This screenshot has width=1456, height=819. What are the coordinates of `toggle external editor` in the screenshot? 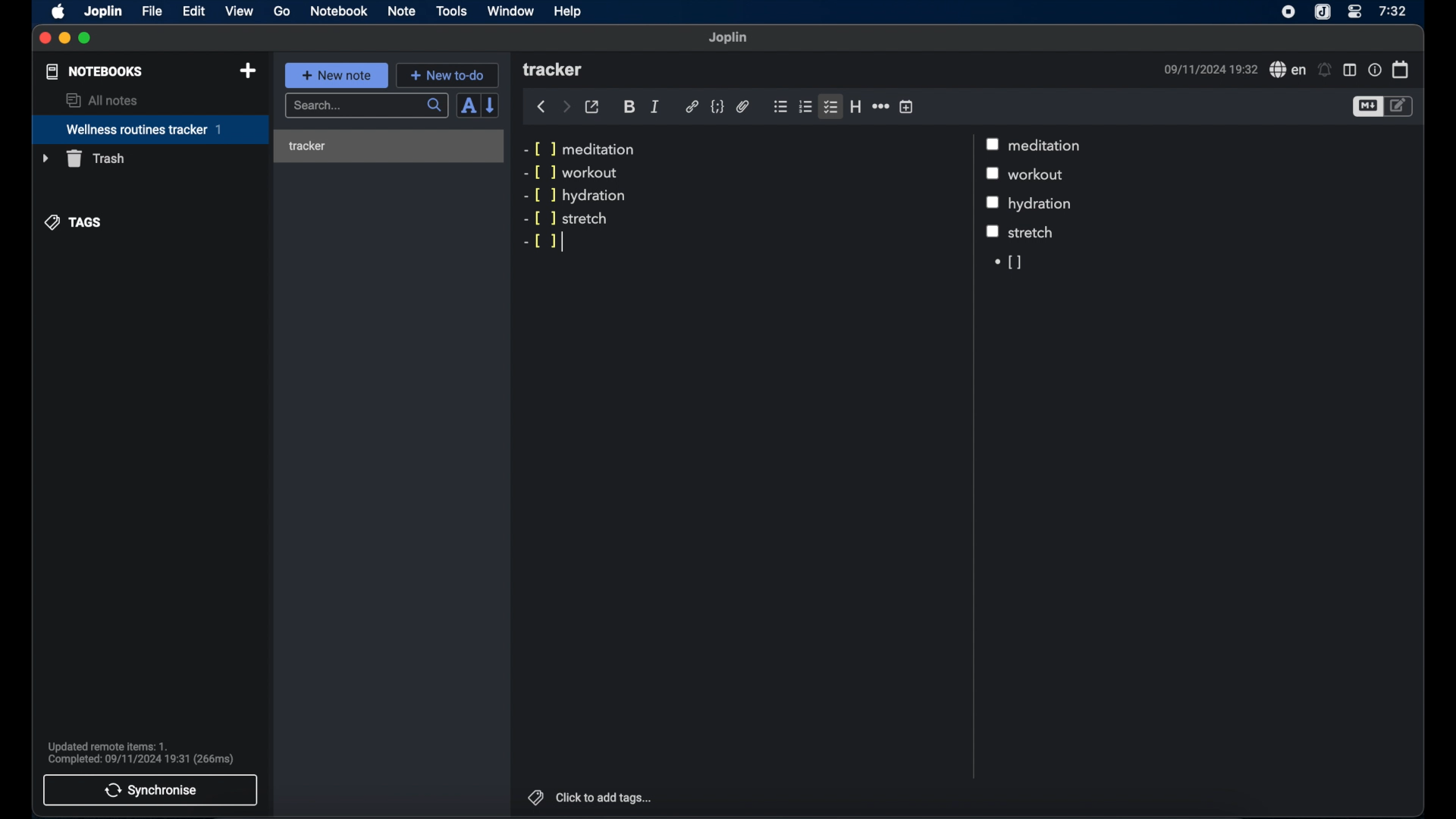 It's located at (592, 106).